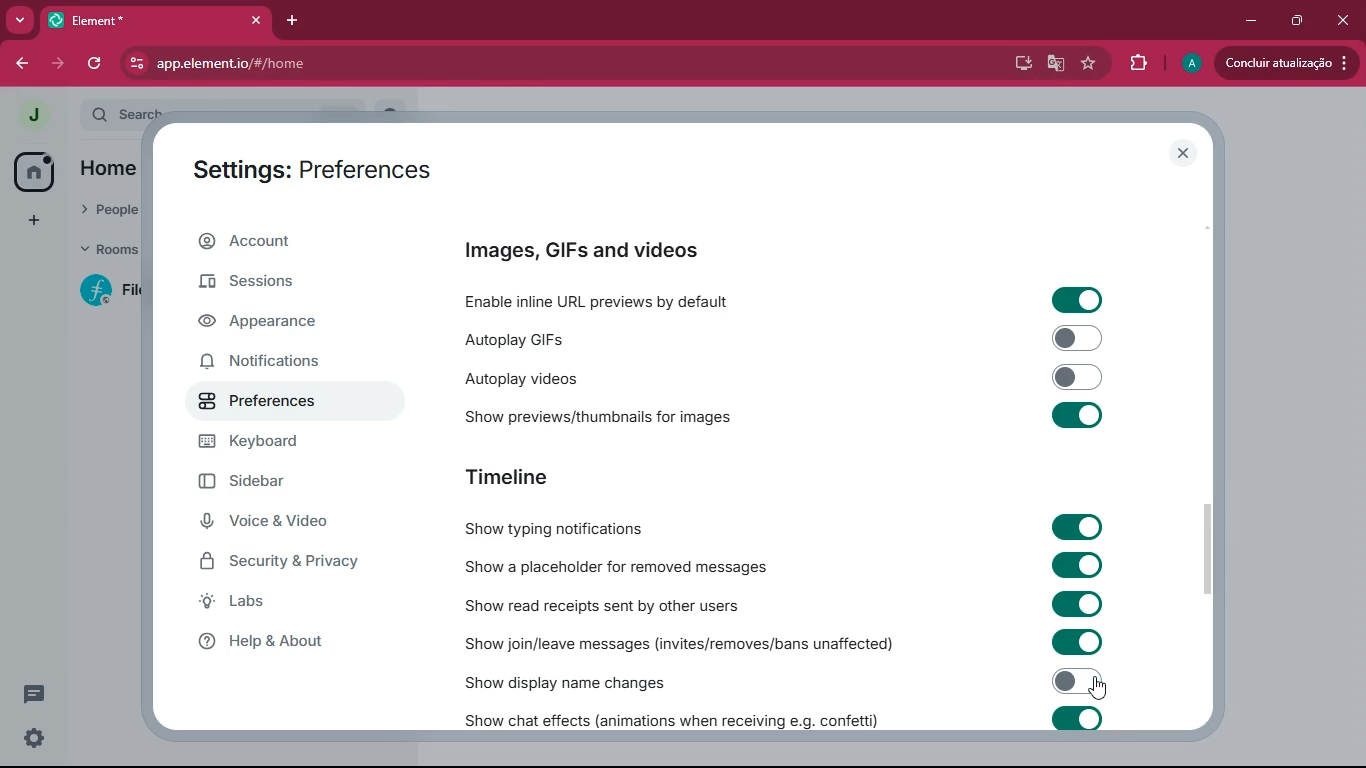  I want to click on autoplay videos, so click(595, 379).